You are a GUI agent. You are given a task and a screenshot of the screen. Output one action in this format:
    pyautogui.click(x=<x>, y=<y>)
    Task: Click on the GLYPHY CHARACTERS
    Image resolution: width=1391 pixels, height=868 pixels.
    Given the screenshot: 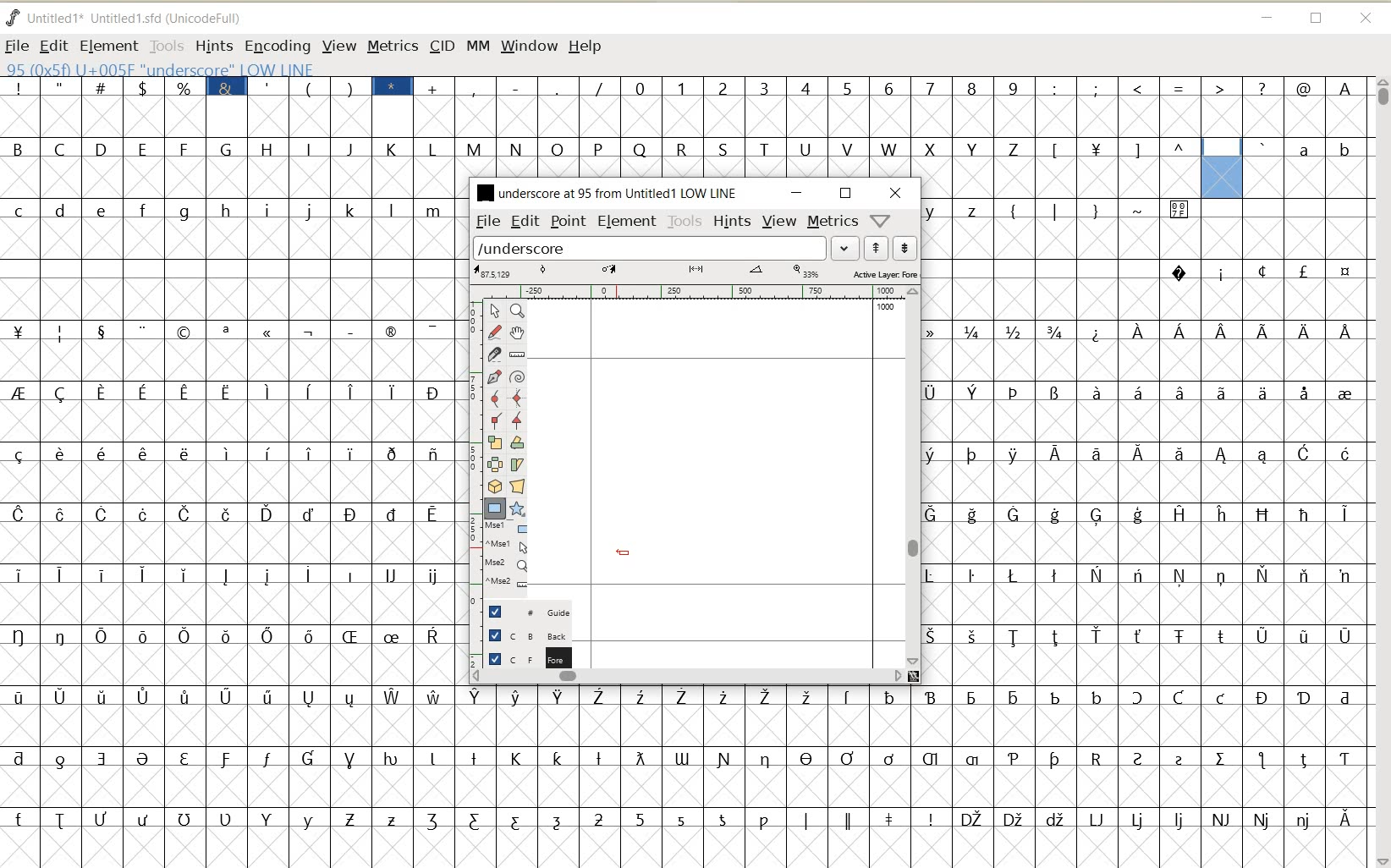 What is the action you would take?
    pyautogui.click(x=228, y=464)
    